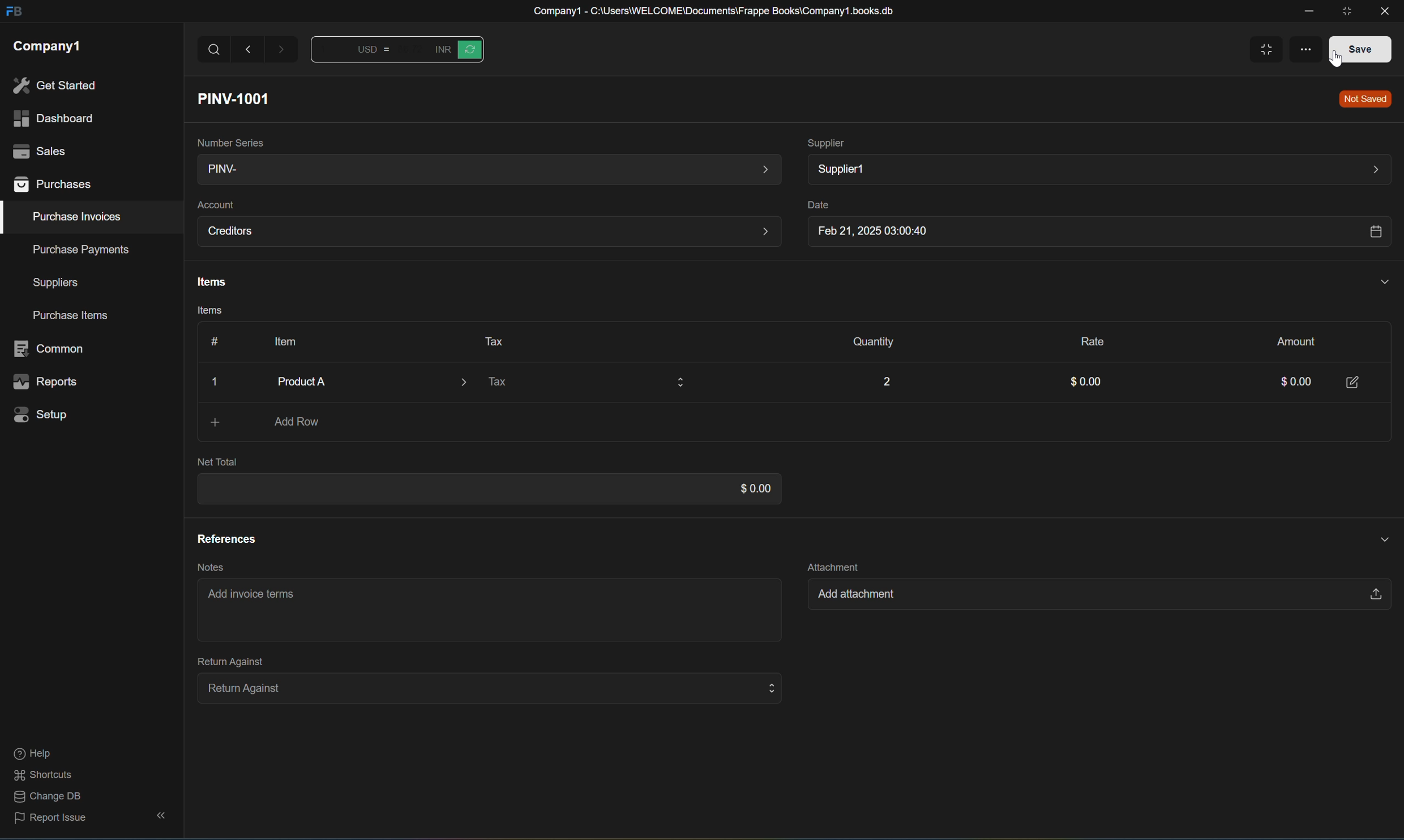  Describe the element at coordinates (749, 488) in the screenshot. I see `$0.00` at that location.